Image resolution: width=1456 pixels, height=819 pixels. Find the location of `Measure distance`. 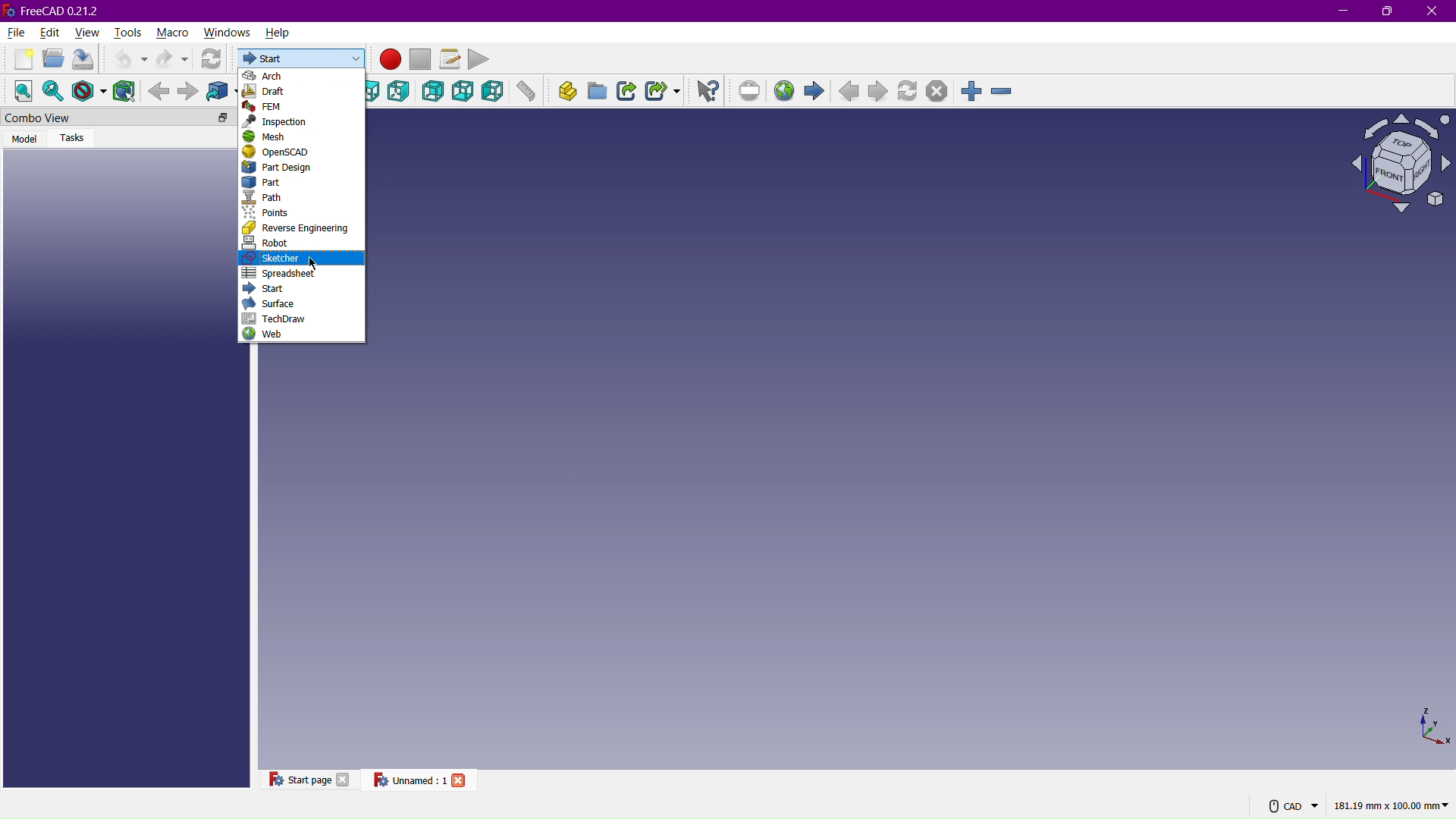

Measure distance is located at coordinates (527, 89).